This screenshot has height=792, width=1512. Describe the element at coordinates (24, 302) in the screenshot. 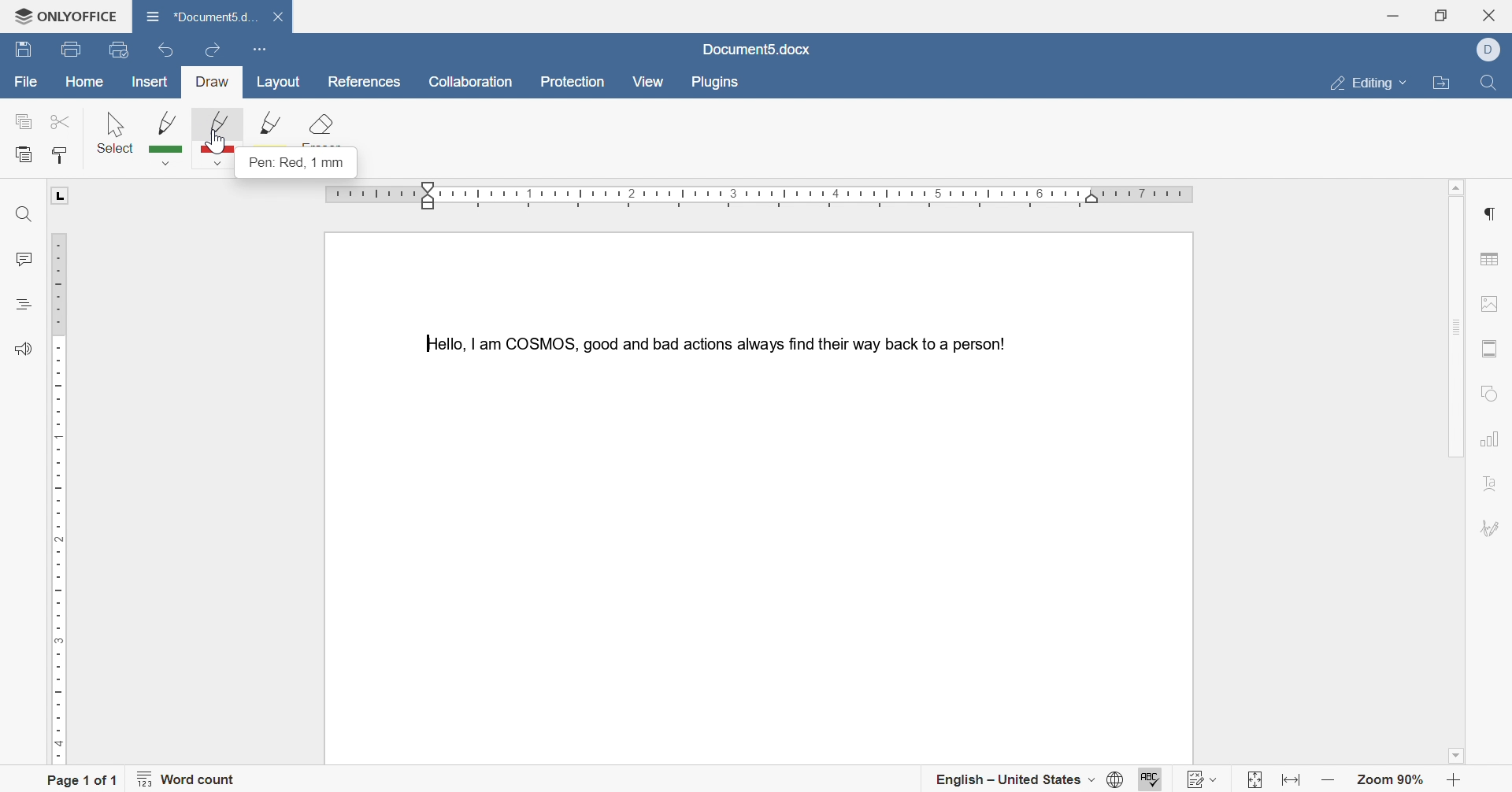

I see `headings` at that location.